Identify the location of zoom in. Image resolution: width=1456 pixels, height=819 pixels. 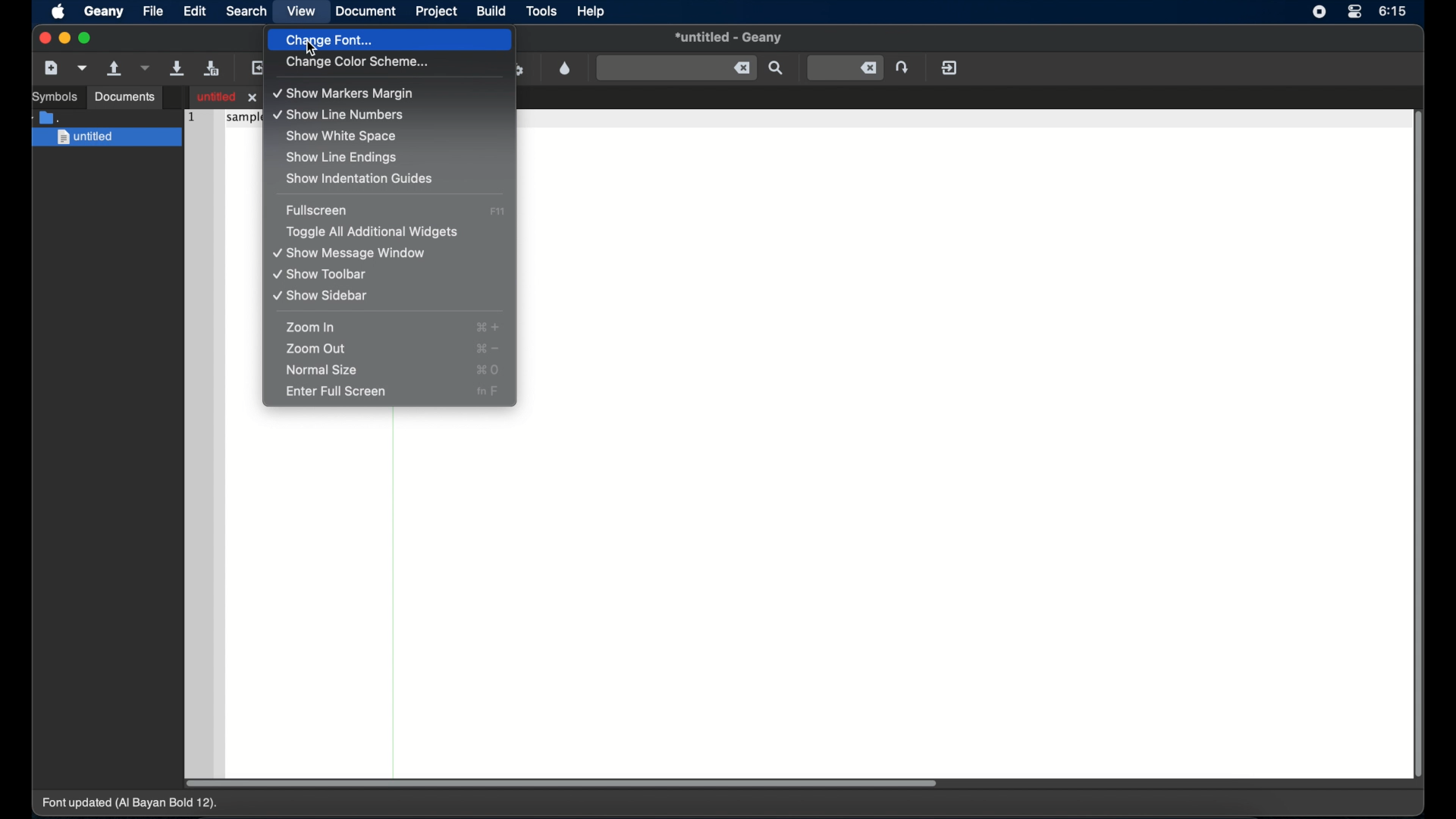
(312, 328).